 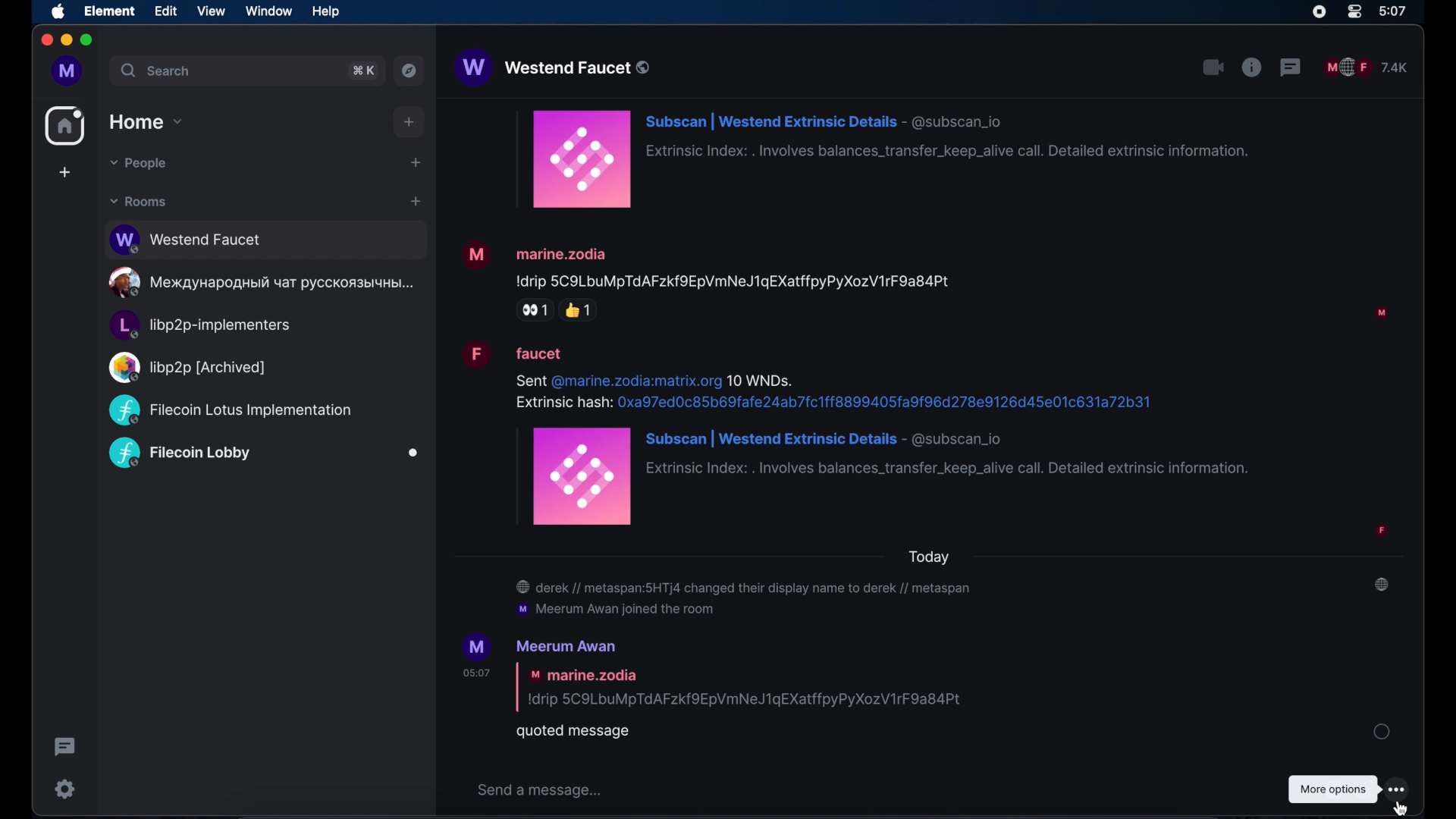 I want to click on search, so click(x=155, y=71).